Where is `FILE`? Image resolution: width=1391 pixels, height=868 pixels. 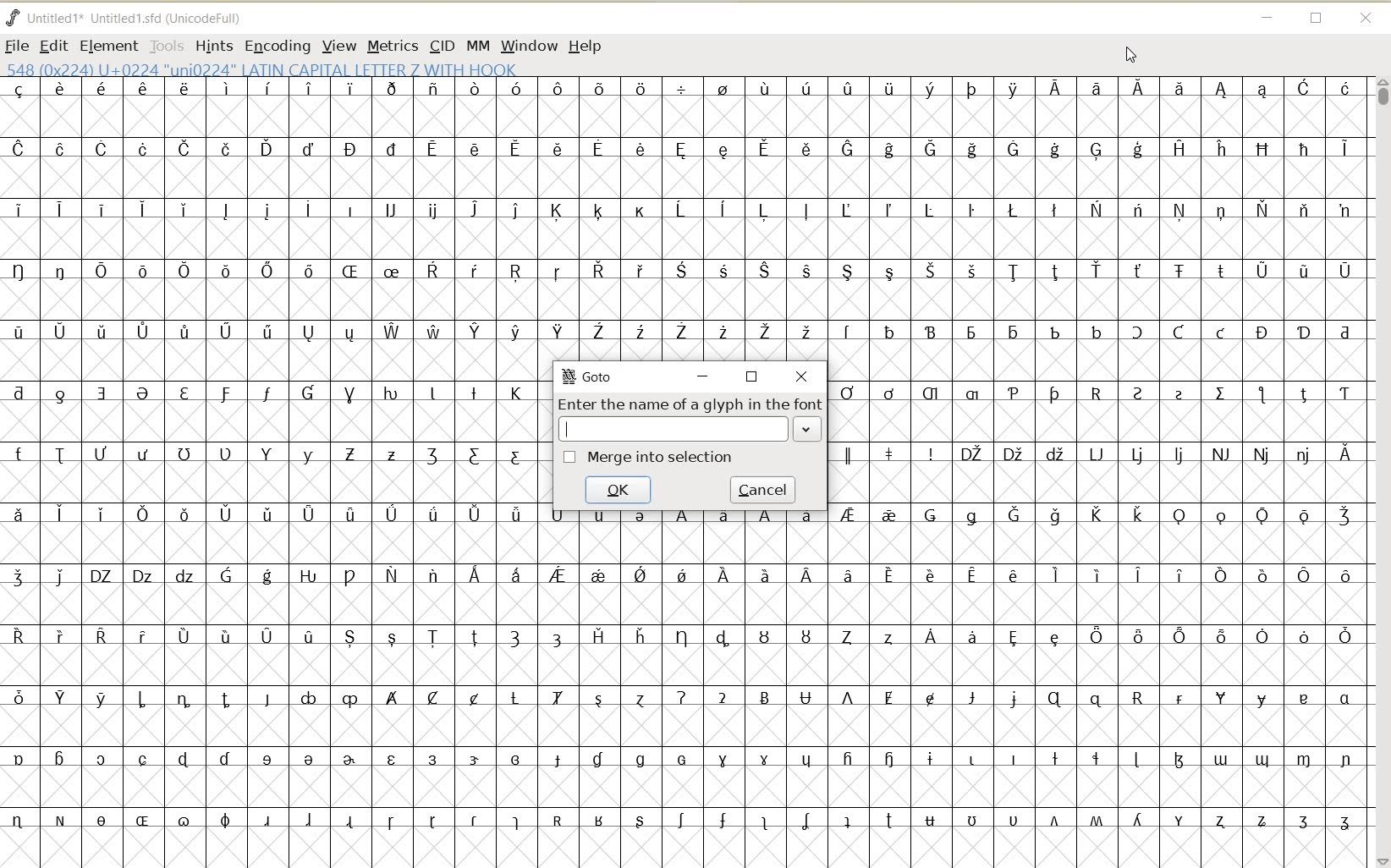 FILE is located at coordinates (17, 46).